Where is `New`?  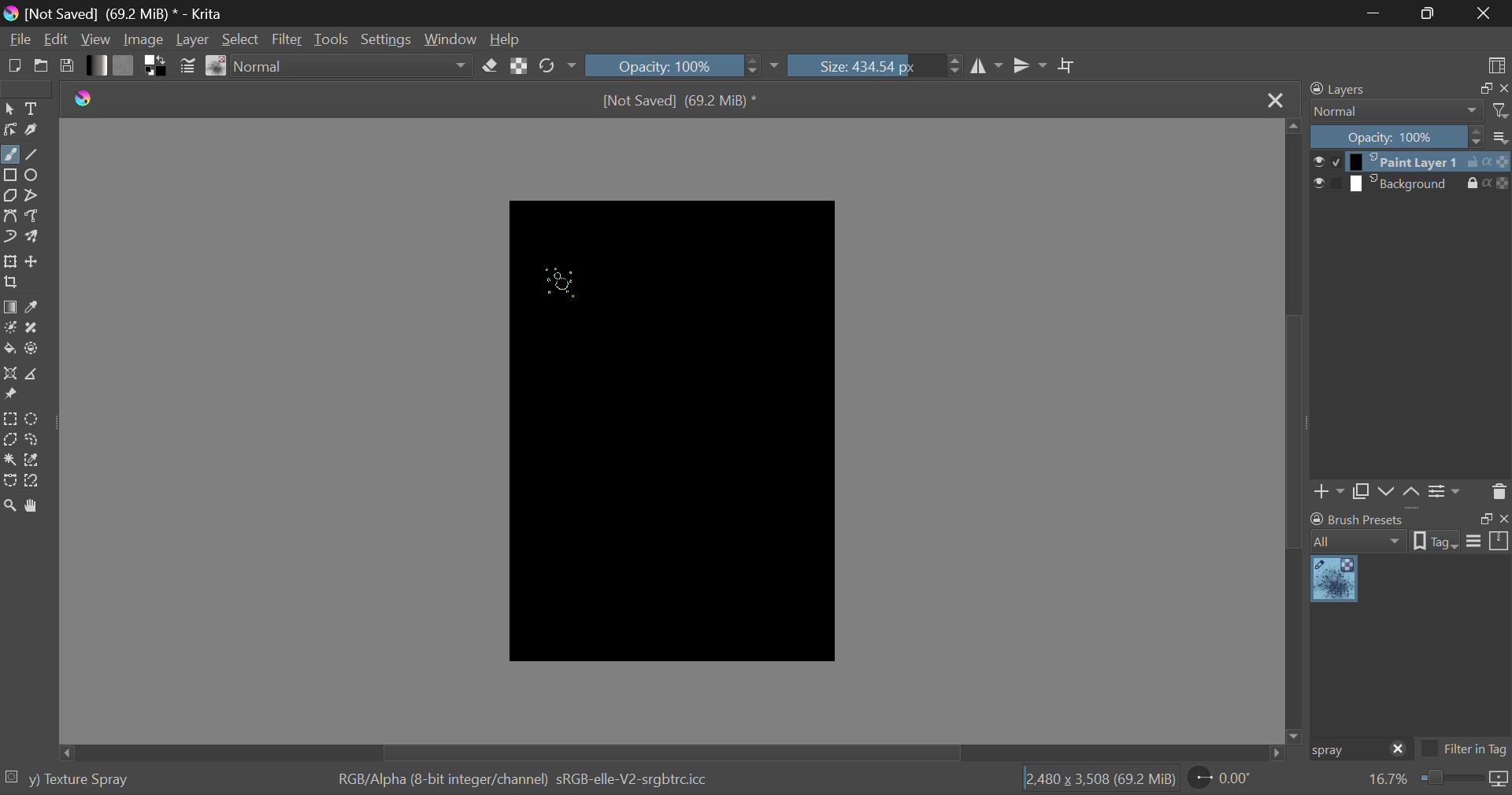
New is located at coordinates (14, 65).